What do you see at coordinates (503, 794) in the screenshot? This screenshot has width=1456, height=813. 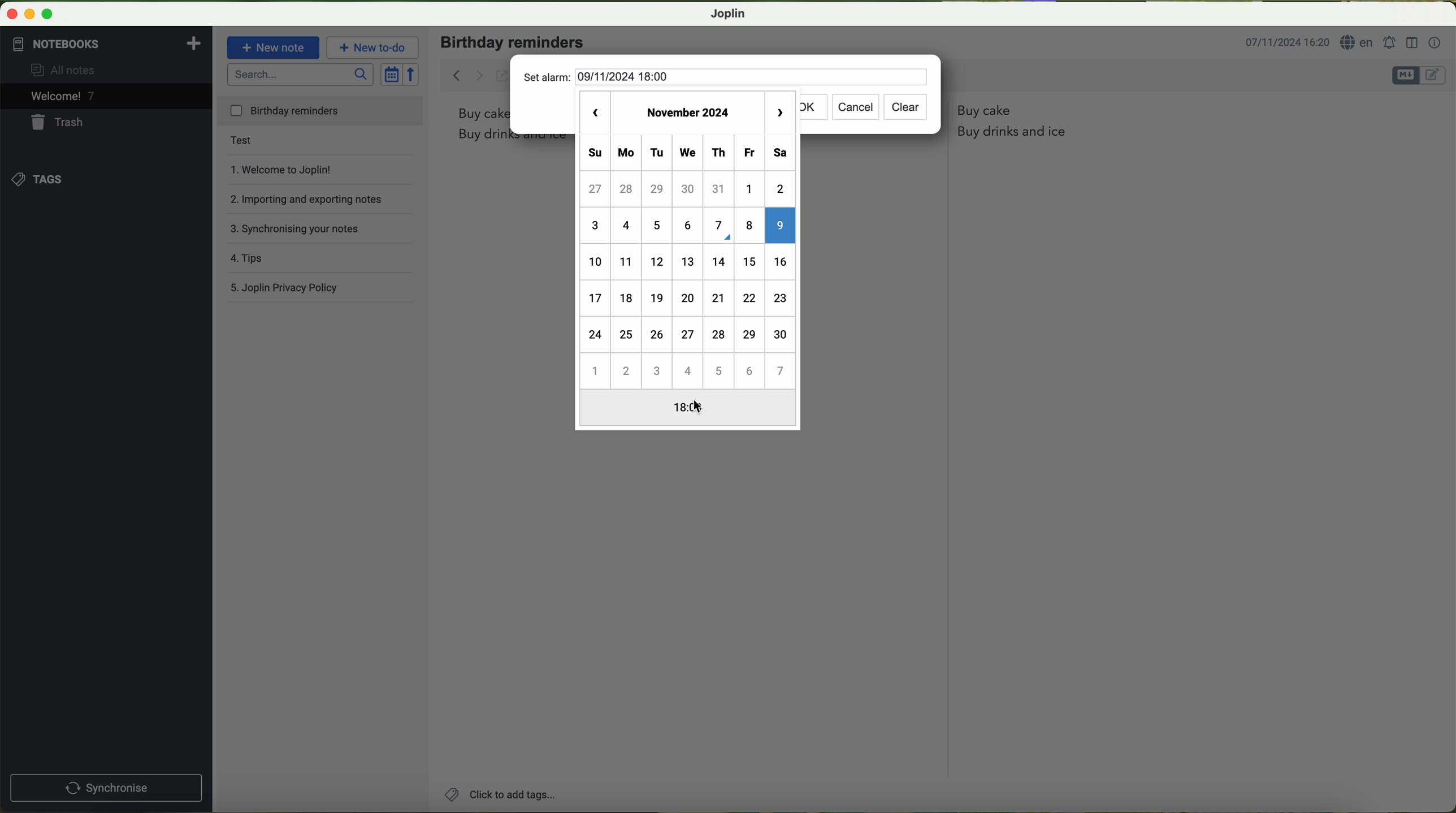 I see `add tags` at bounding box center [503, 794].